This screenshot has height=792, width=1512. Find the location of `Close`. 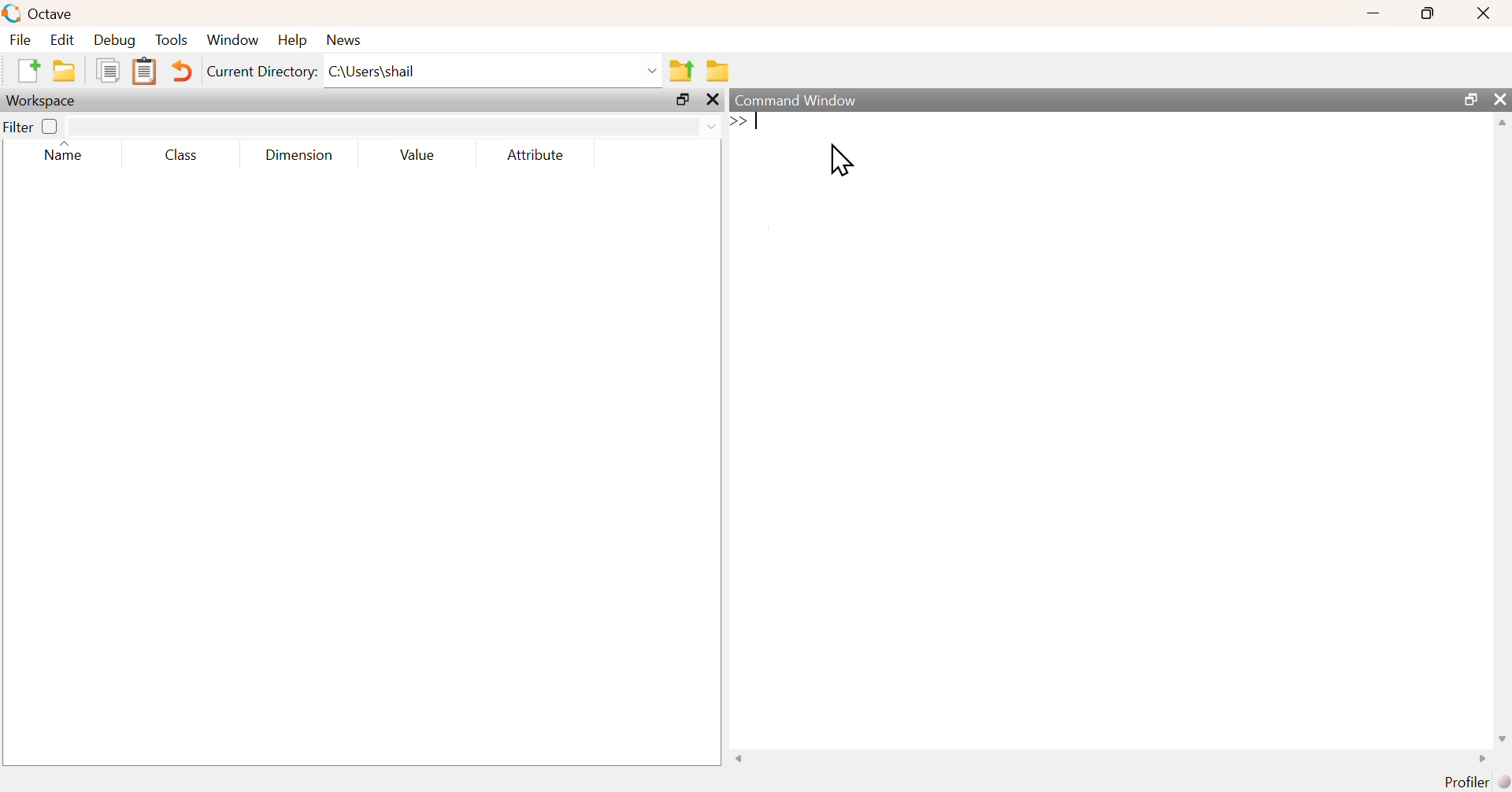

Close is located at coordinates (1482, 13).